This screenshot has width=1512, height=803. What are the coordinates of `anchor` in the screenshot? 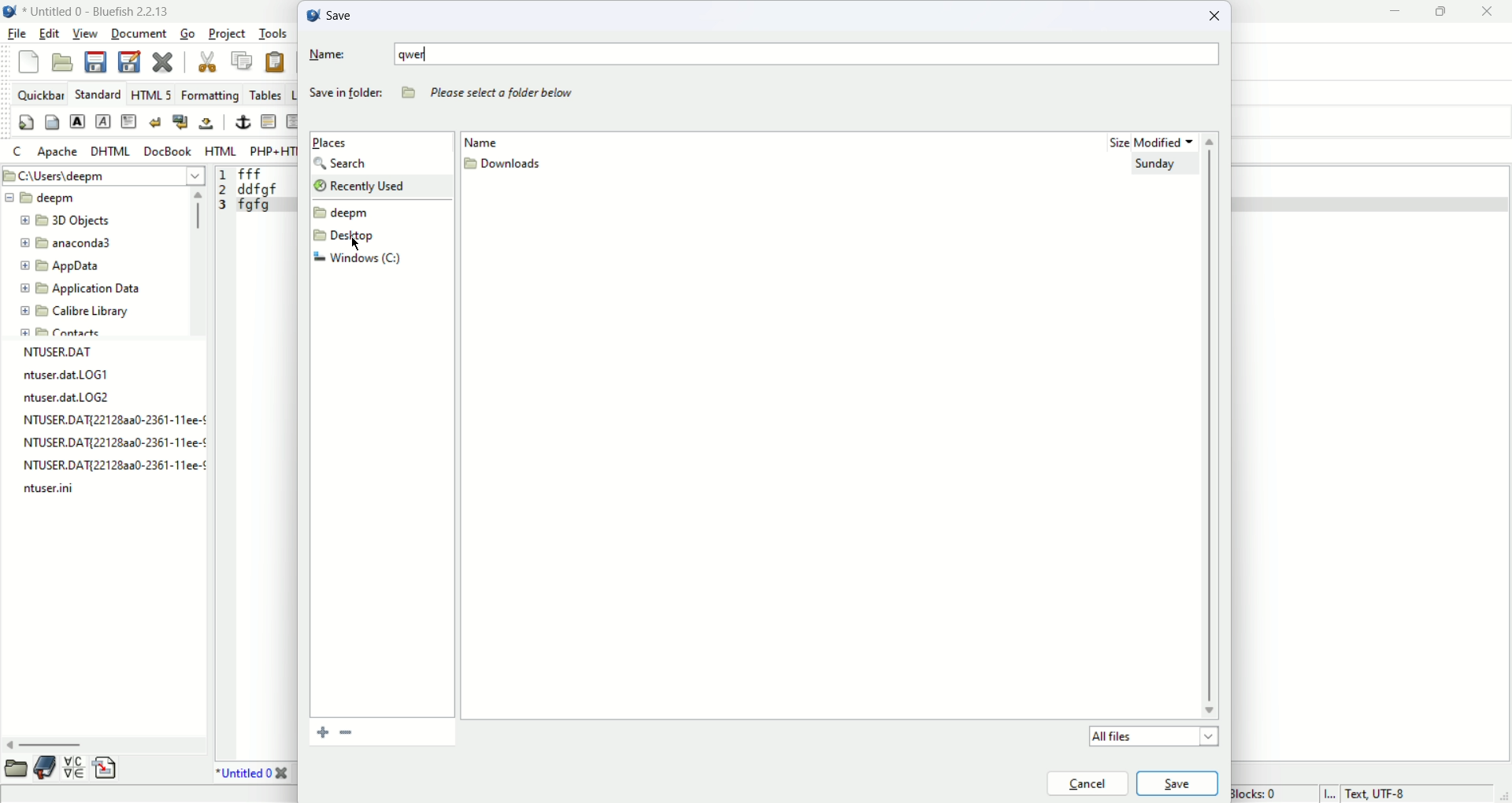 It's located at (240, 124).